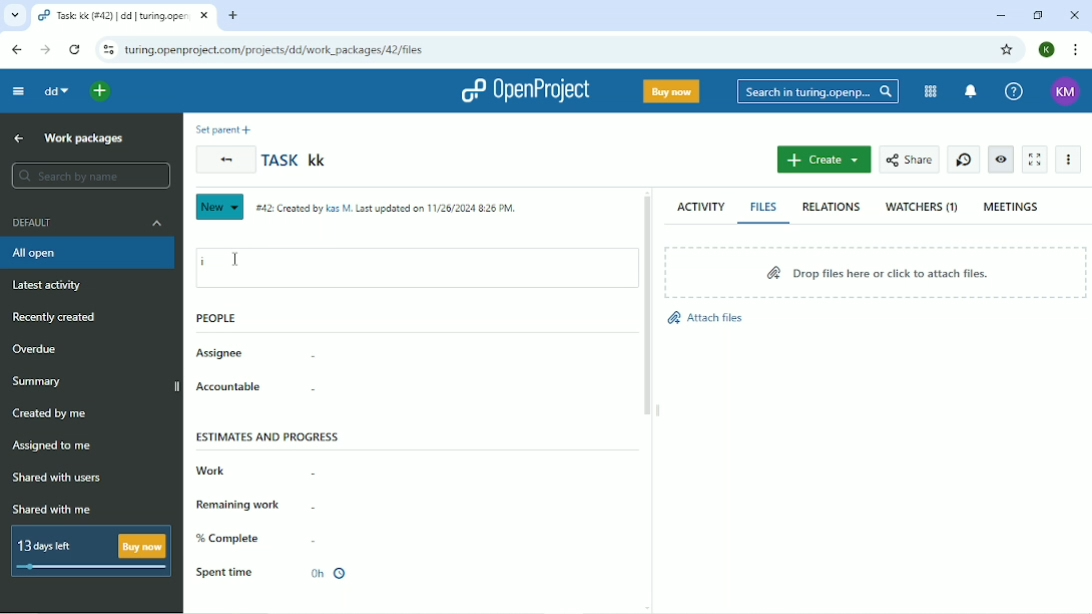 The image size is (1092, 614). What do you see at coordinates (89, 223) in the screenshot?
I see `Default` at bounding box center [89, 223].